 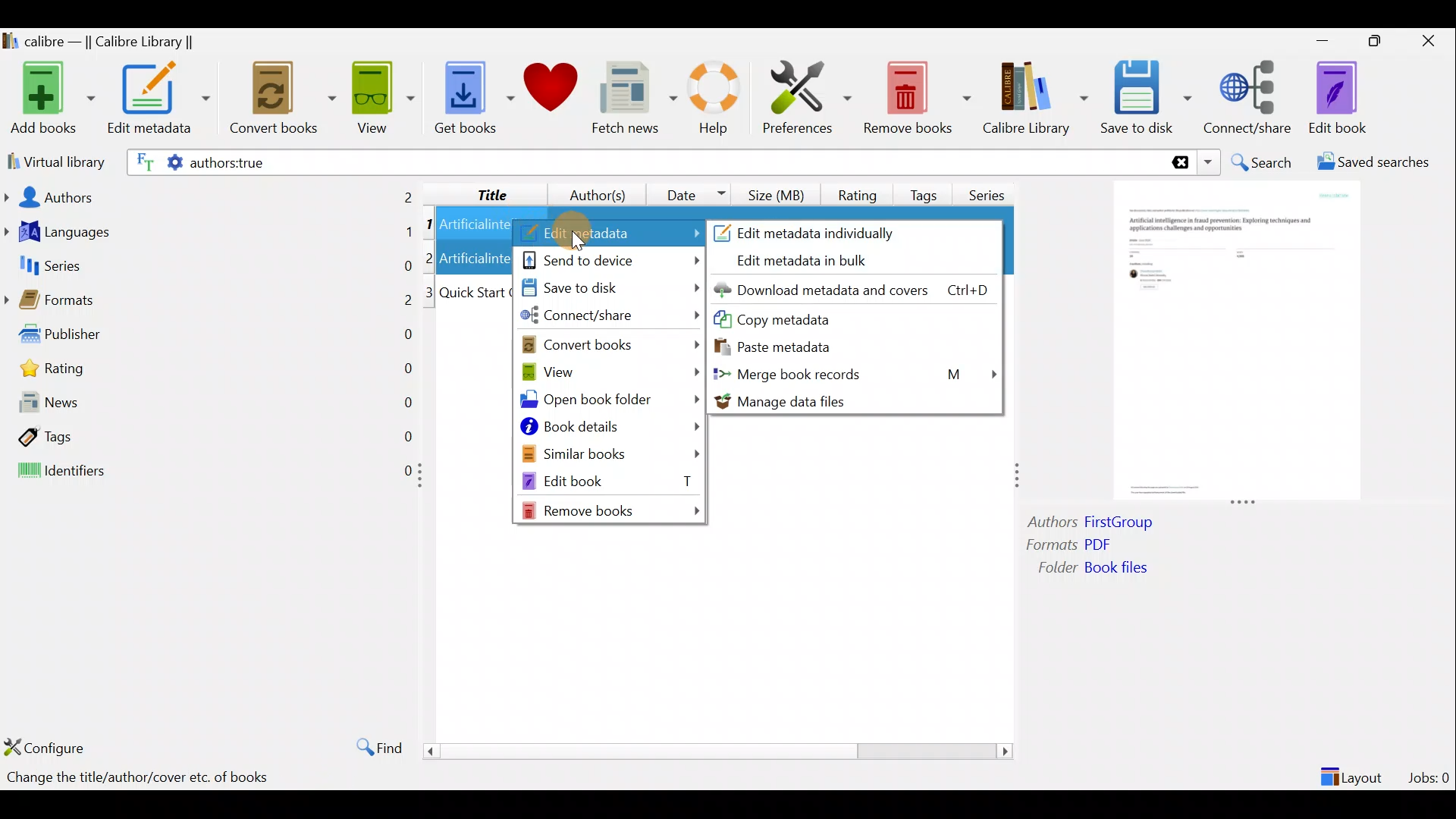 I want to click on Edit metadata, so click(x=609, y=234).